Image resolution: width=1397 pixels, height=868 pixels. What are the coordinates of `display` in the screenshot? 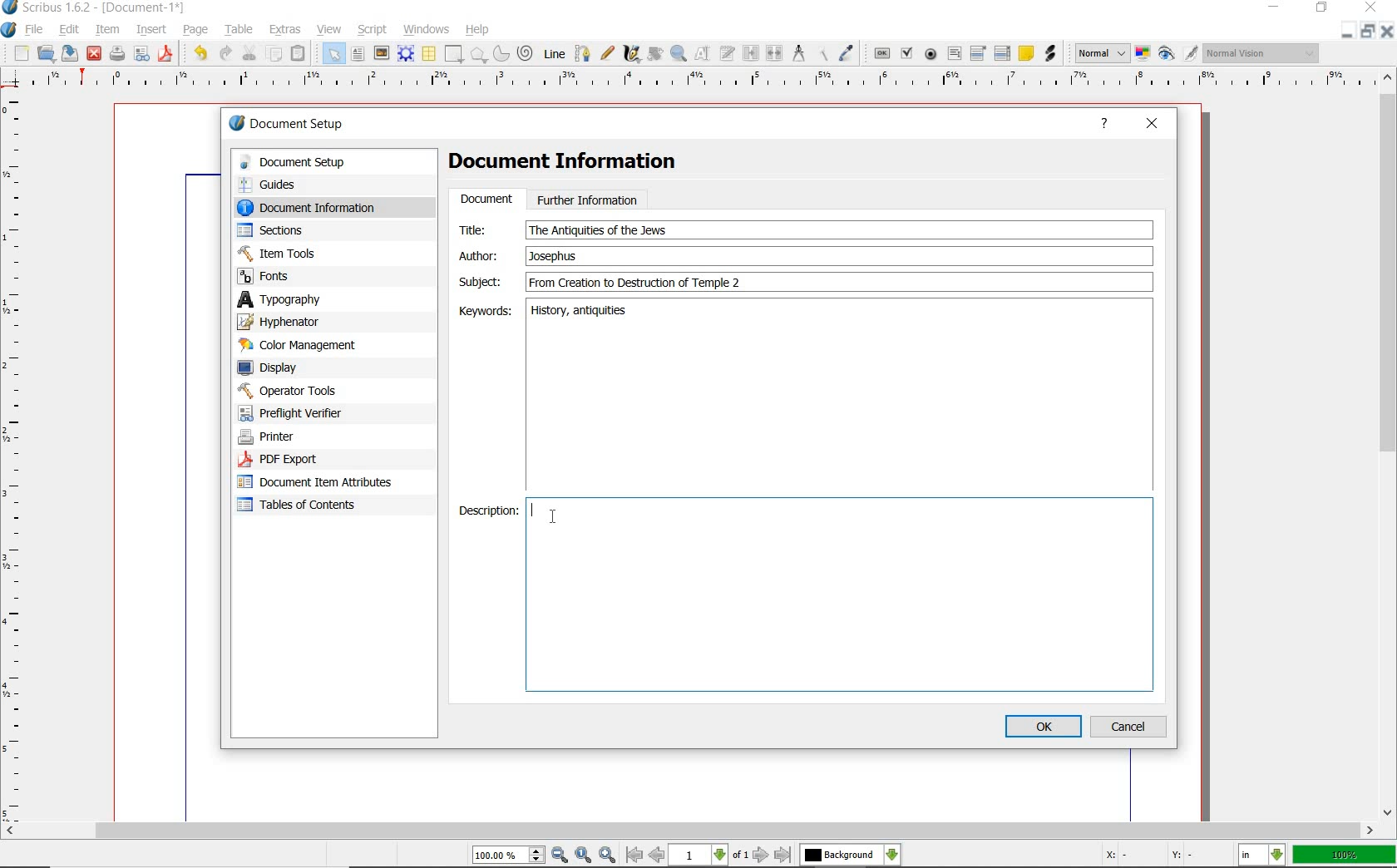 It's located at (297, 367).